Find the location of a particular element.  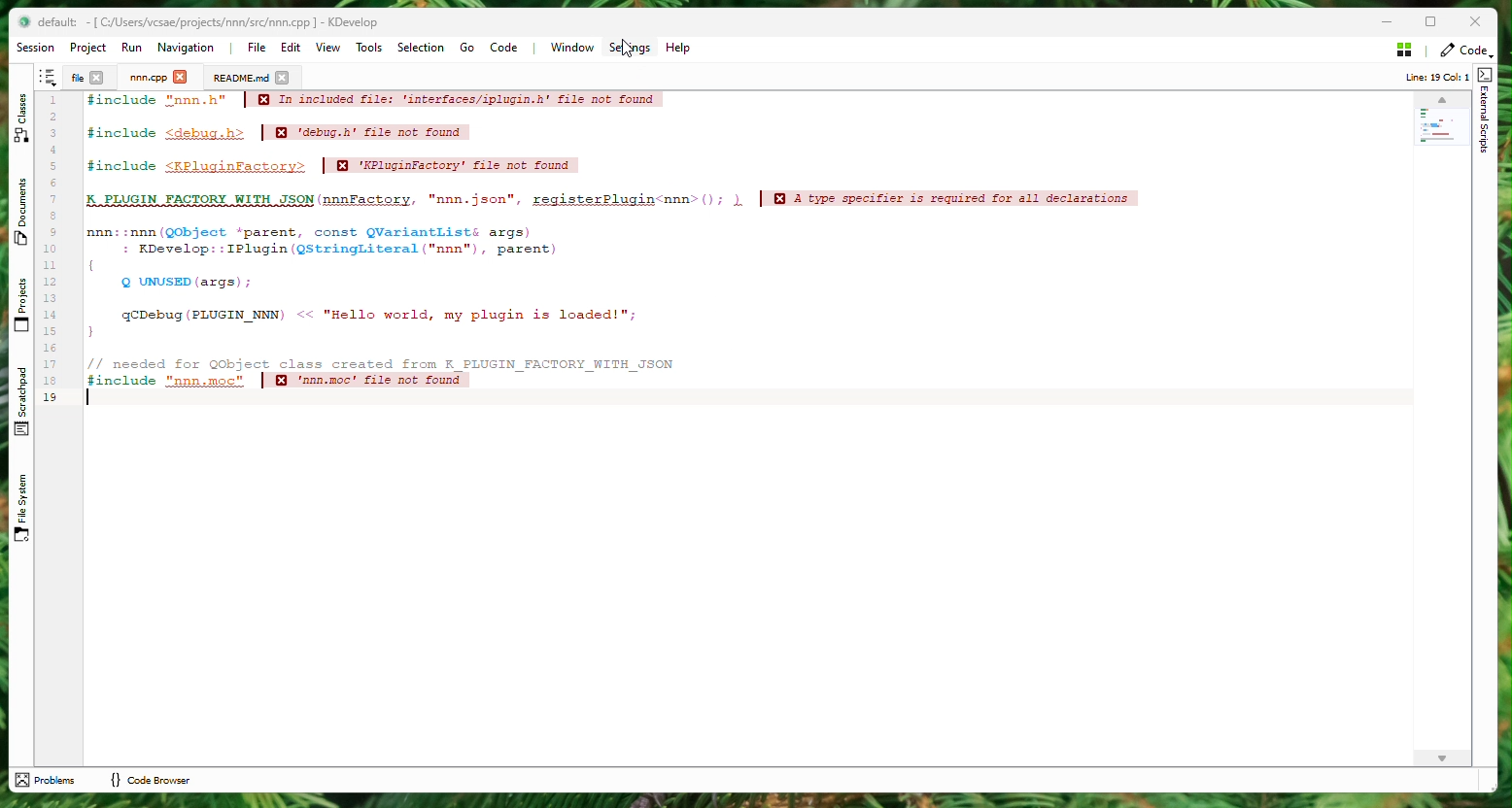

info is located at coordinates (1434, 78).